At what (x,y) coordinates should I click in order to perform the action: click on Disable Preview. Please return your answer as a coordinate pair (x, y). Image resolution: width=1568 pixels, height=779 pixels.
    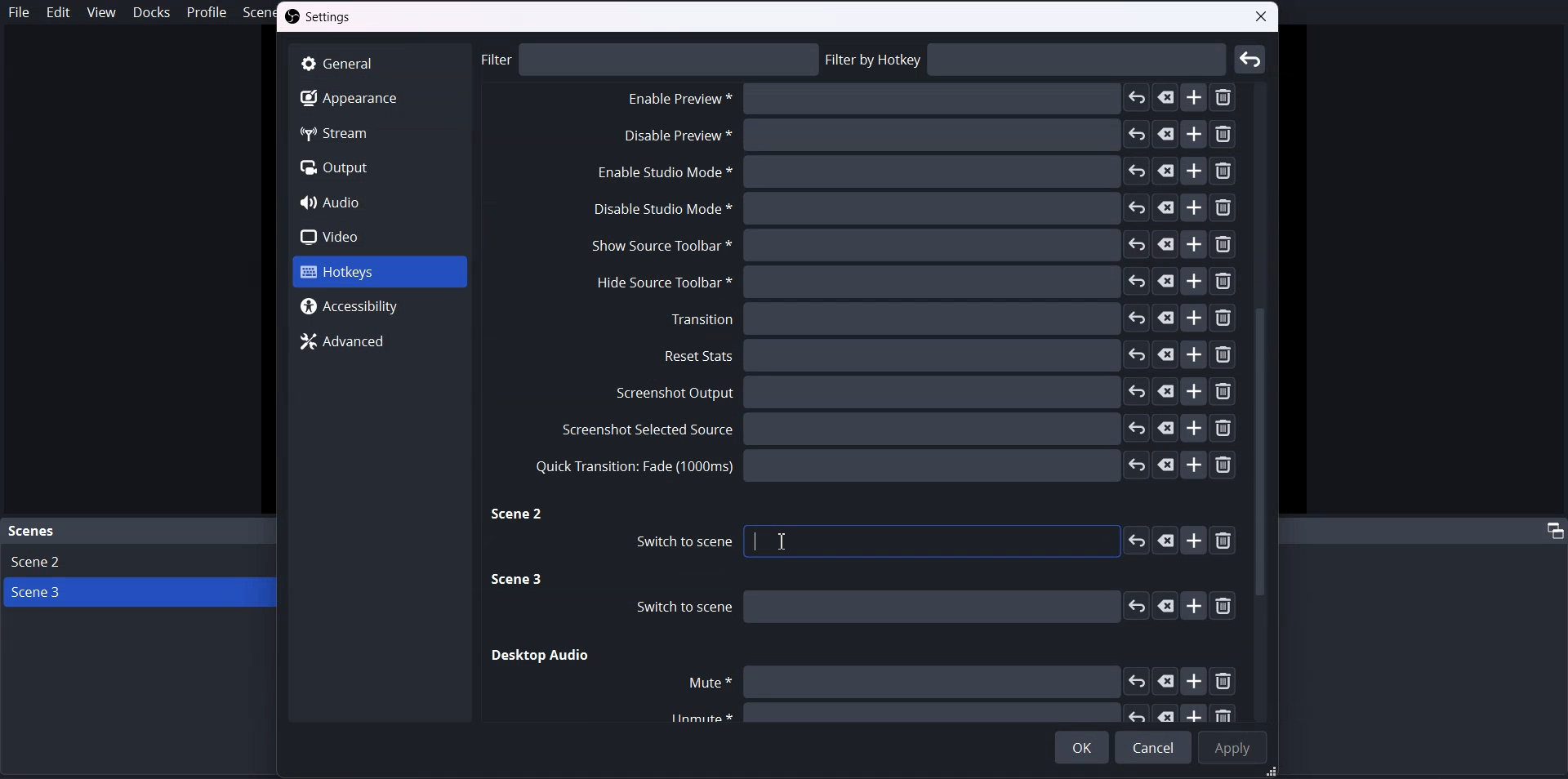
    Looking at the image, I should click on (924, 101).